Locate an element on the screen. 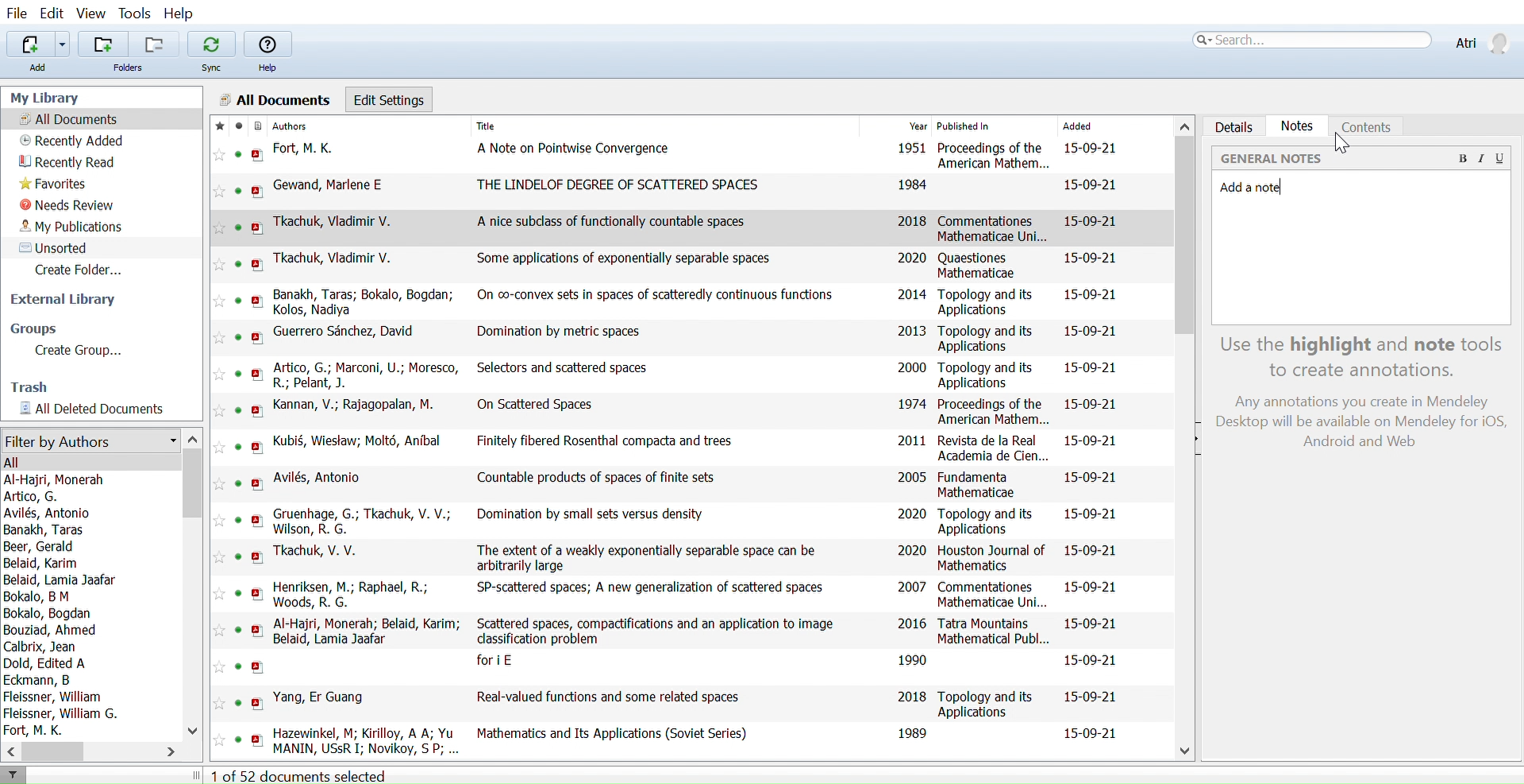 This screenshot has width=1524, height=784. Fleissner, William G. is located at coordinates (63, 713).